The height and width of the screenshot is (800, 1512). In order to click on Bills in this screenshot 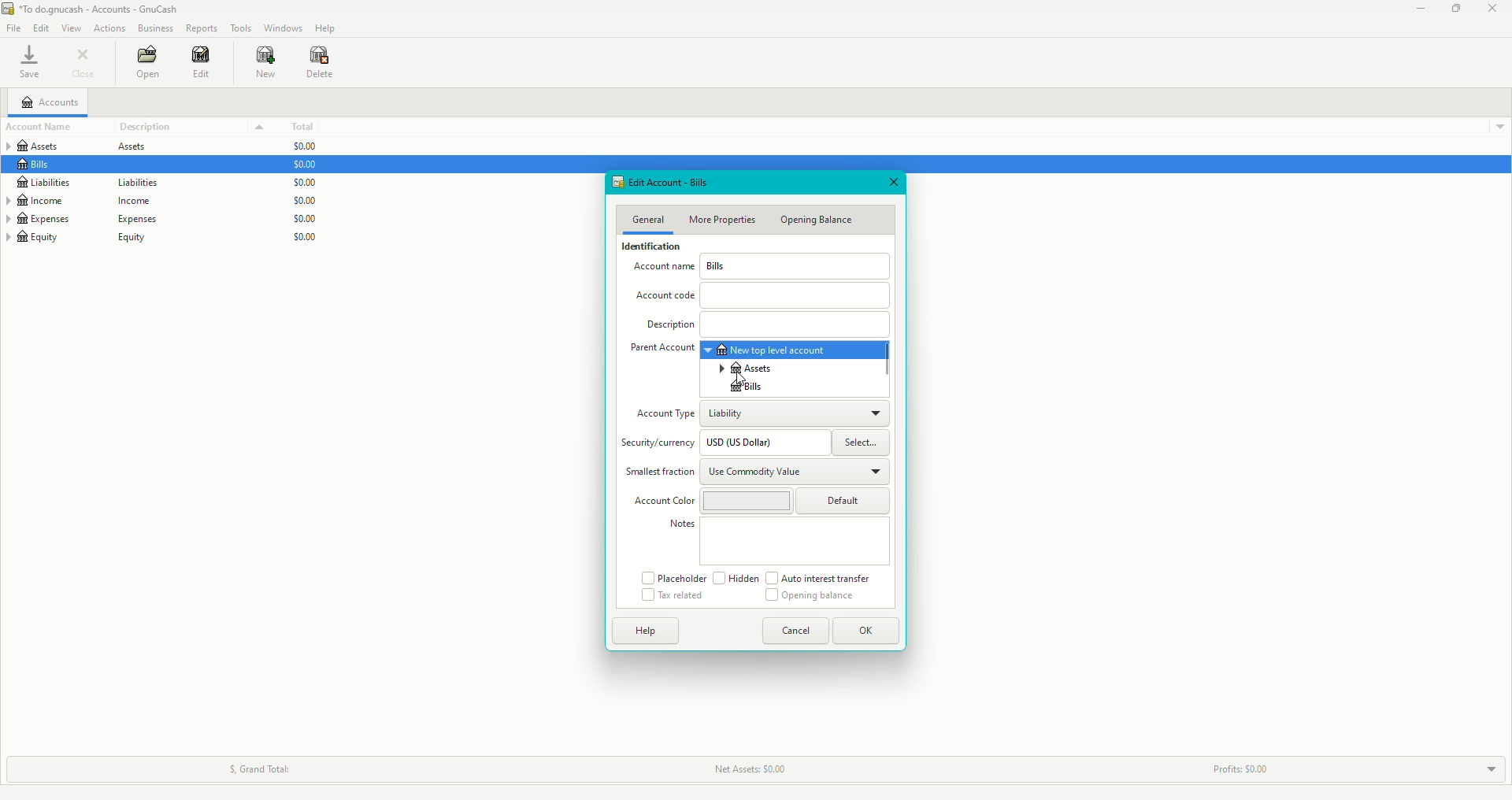, I will do `click(37, 165)`.